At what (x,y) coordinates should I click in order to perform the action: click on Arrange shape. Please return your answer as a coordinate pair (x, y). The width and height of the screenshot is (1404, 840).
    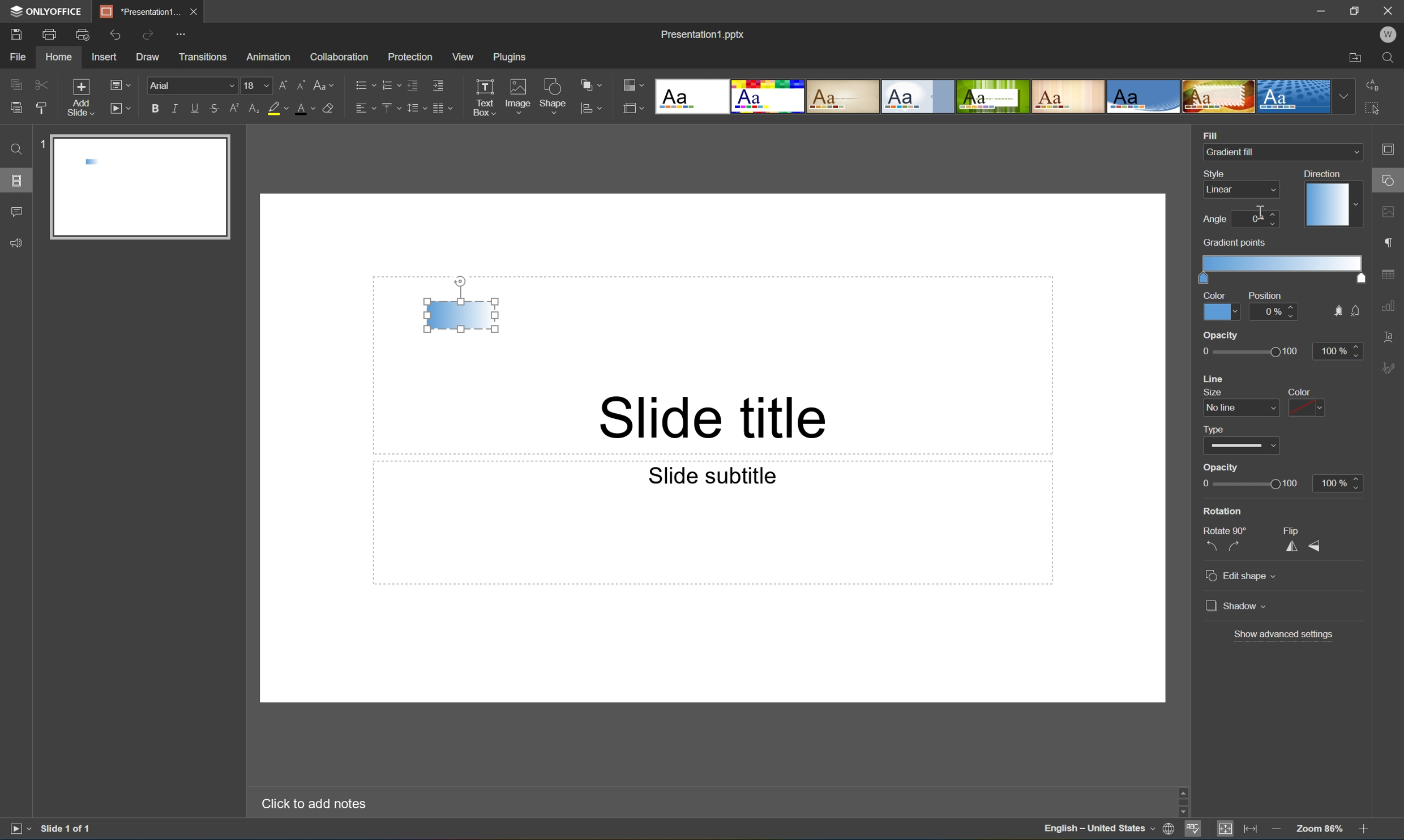
    Looking at the image, I should click on (594, 85).